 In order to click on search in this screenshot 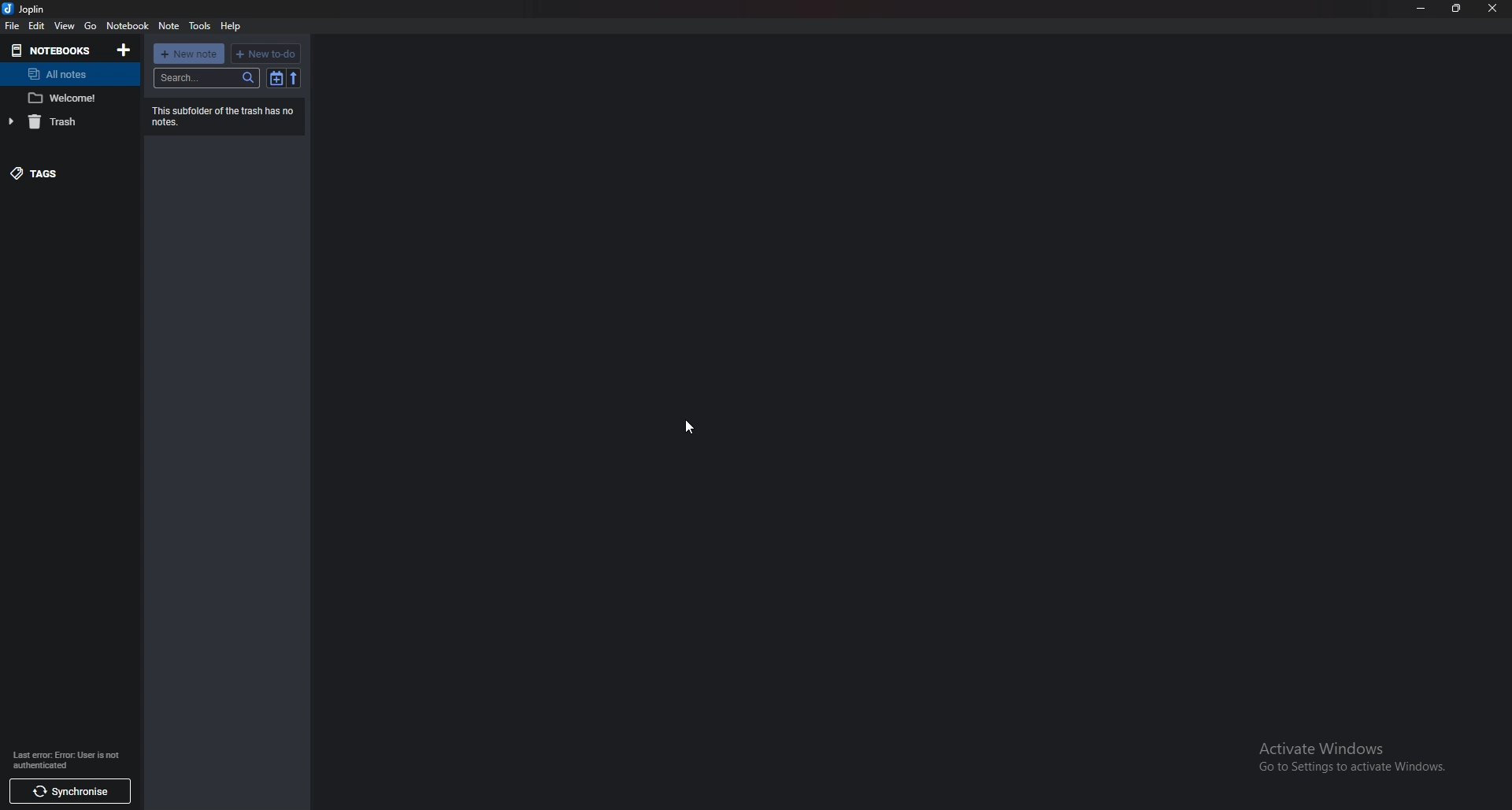, I will do `click(206, 78)`.